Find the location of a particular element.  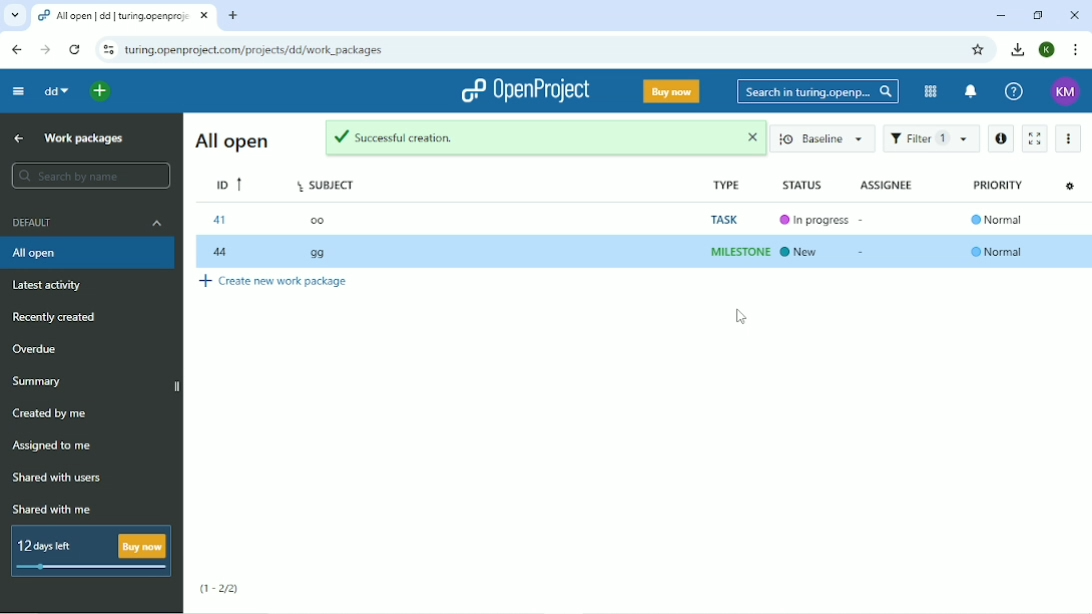

Site is located at coordinates (255, 51).